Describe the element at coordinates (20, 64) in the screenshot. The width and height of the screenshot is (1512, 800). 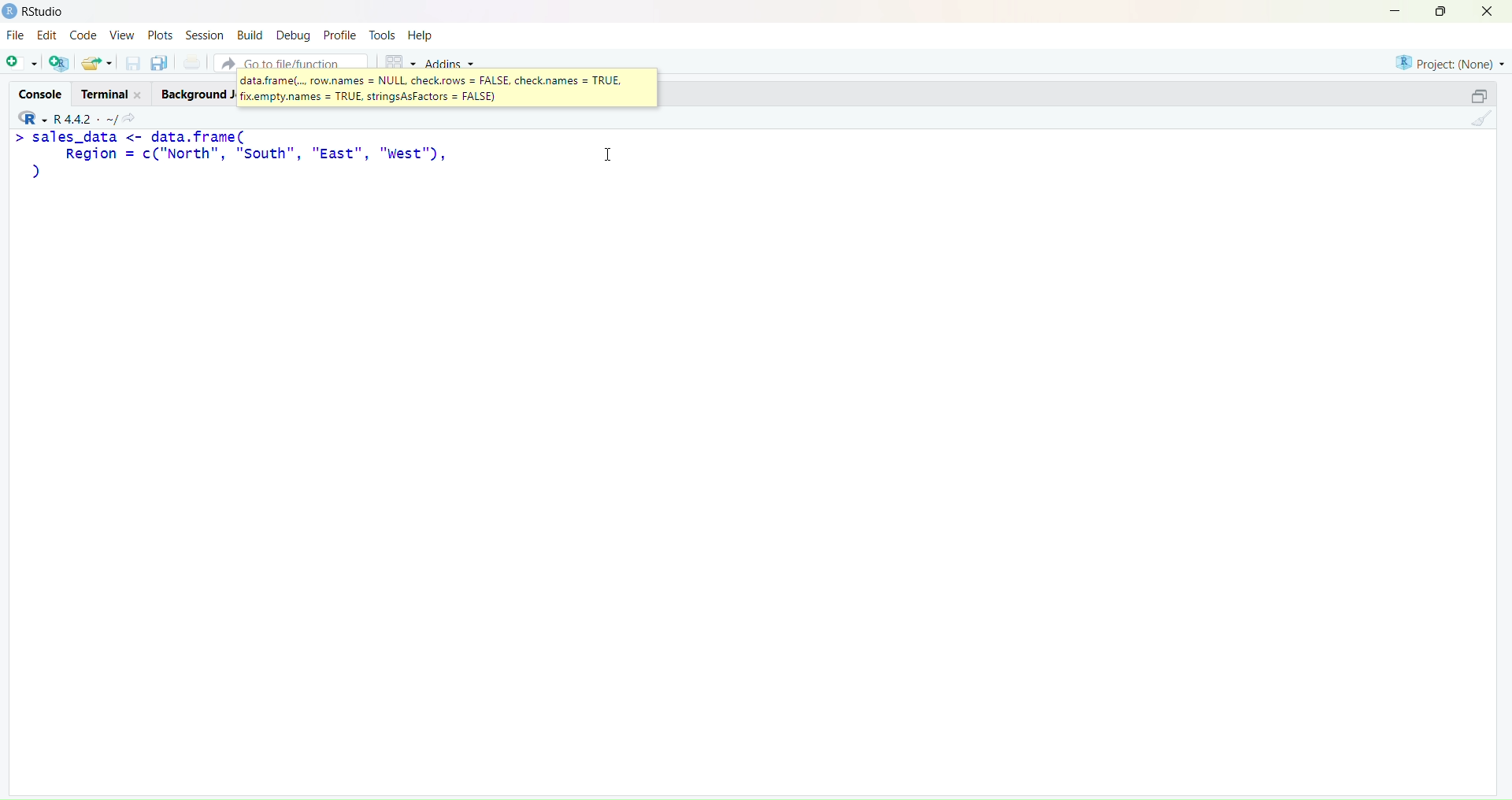
I see `add script` at that location.